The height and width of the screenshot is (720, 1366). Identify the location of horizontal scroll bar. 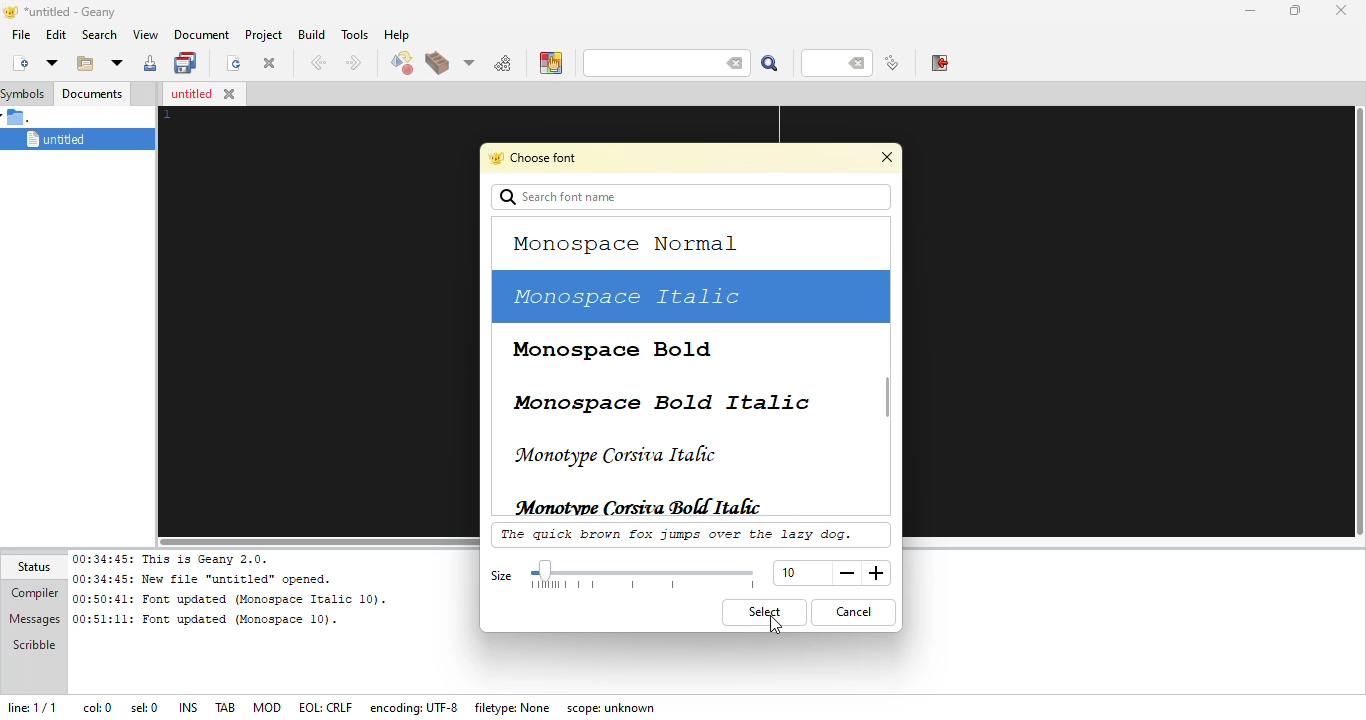
(314, 539).